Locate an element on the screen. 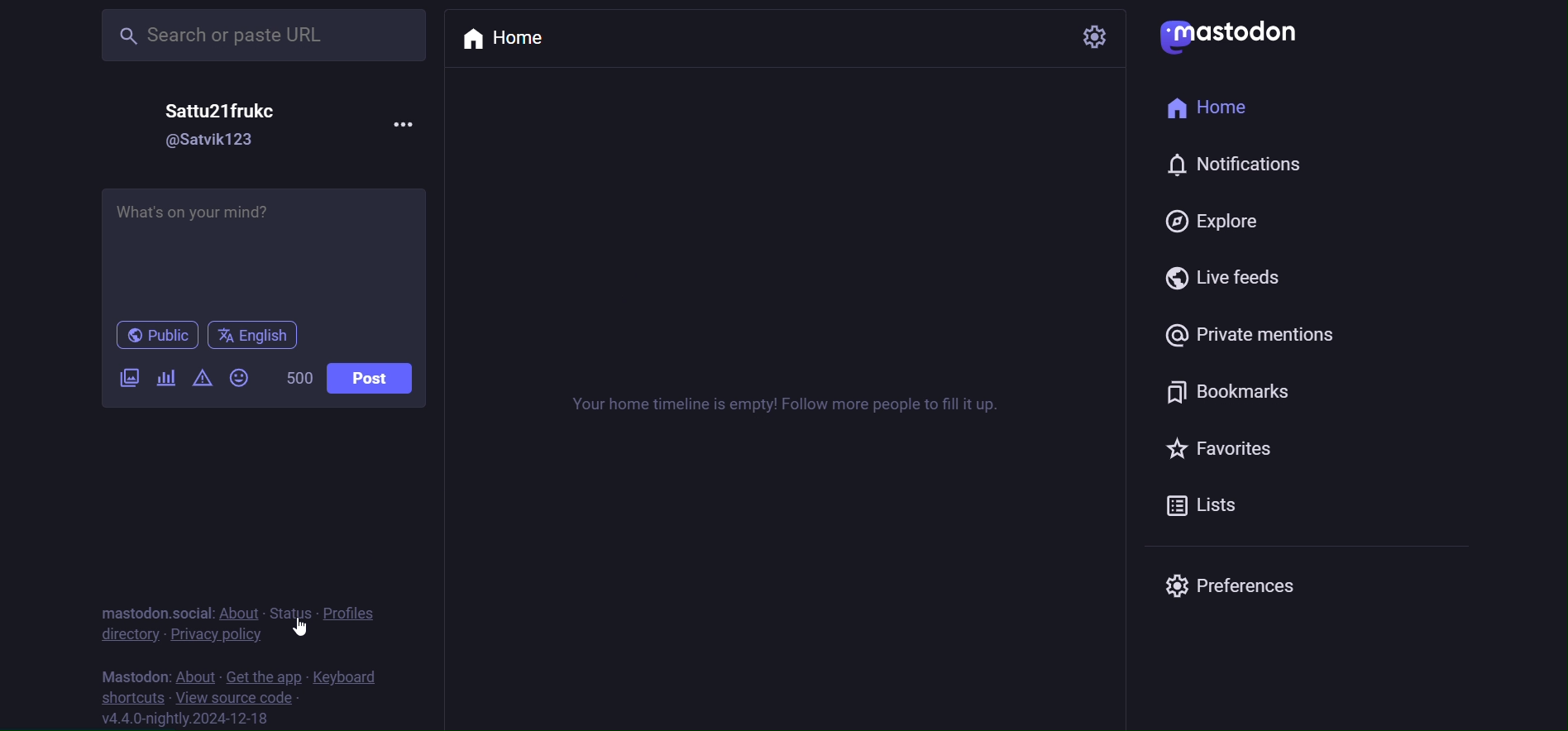 This screenshot has width=1568, height=731. Emojis is located at coordinates (241, 381).